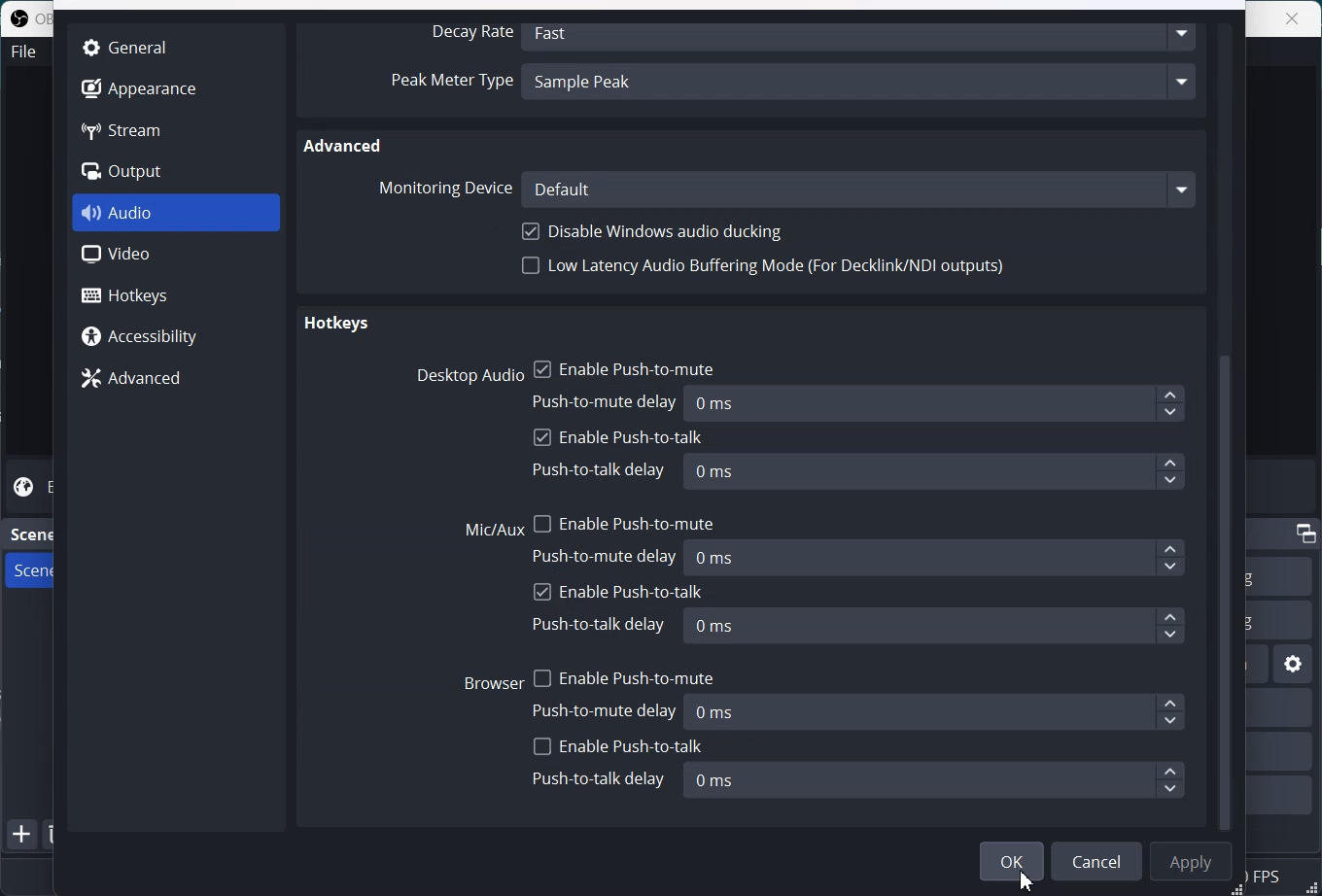 This screenshot has width=1322, height=896. What do you see at coordinates (175, 334) in the screenshot?
I see `Accessibility` at bounding box center [175, 334].